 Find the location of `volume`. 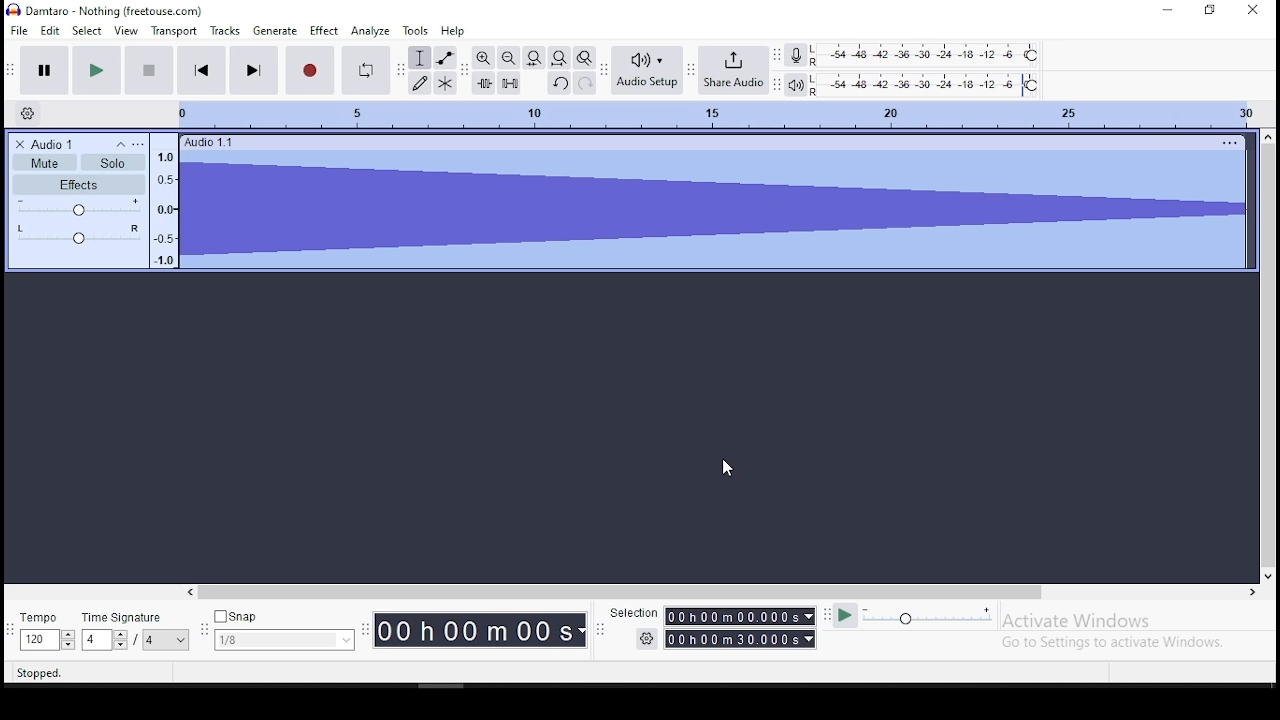

volume is located at coordinates (80, 207).